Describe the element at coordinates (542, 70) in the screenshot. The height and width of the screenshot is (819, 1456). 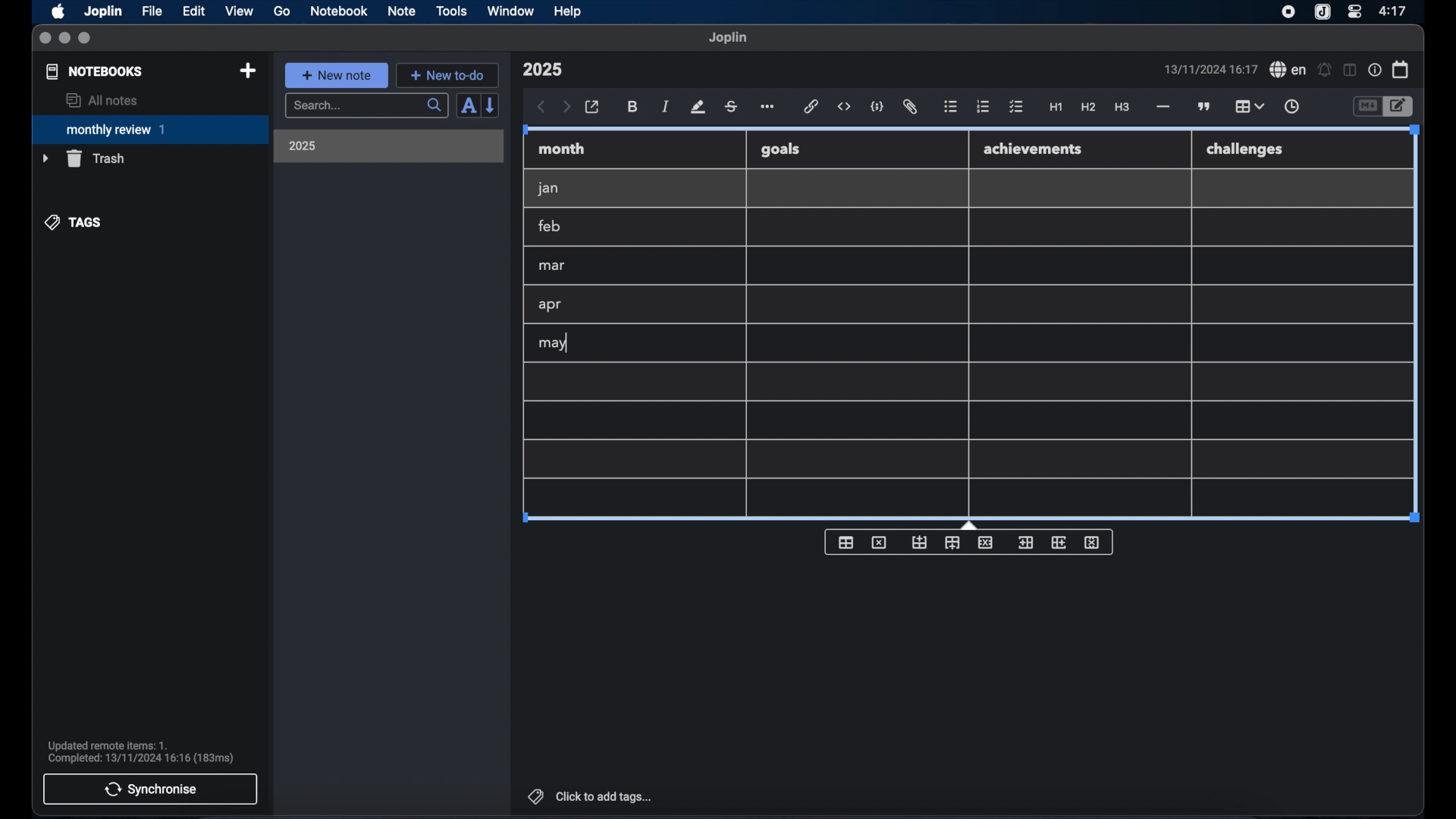
I see `note title` at that location.